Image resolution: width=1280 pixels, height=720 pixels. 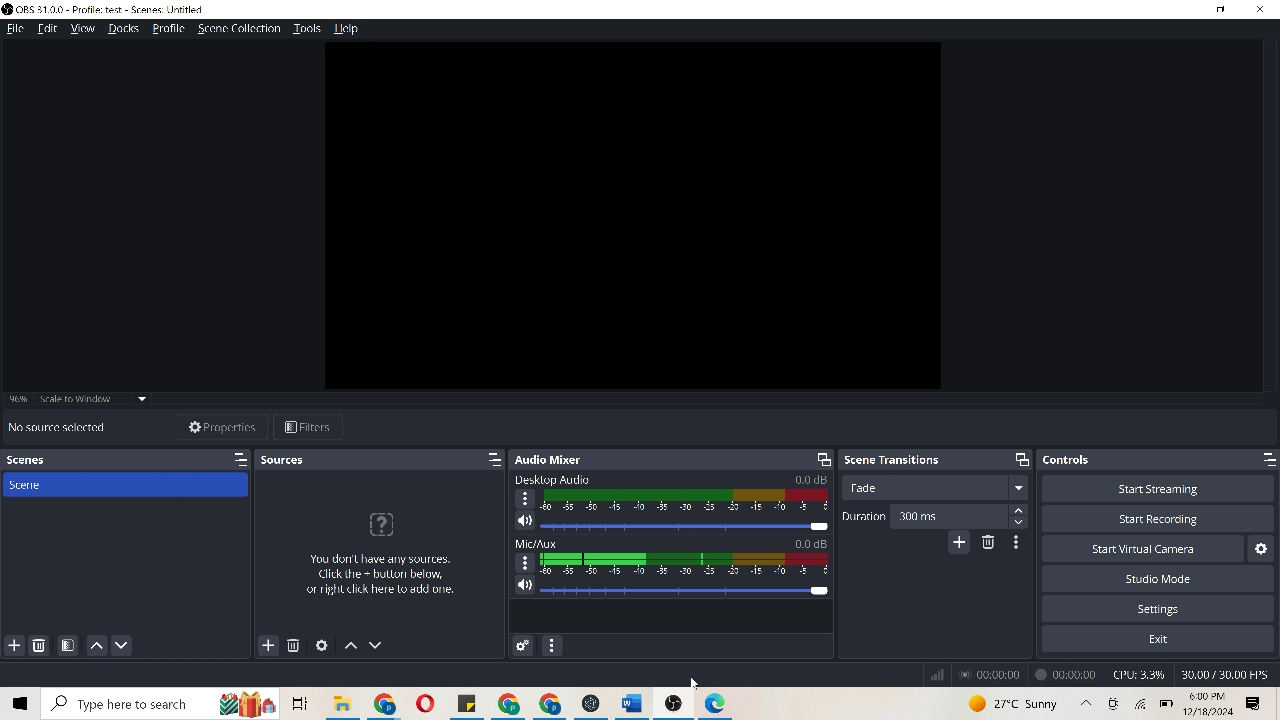 I want to click on battery, so click(x=1167, y=704).